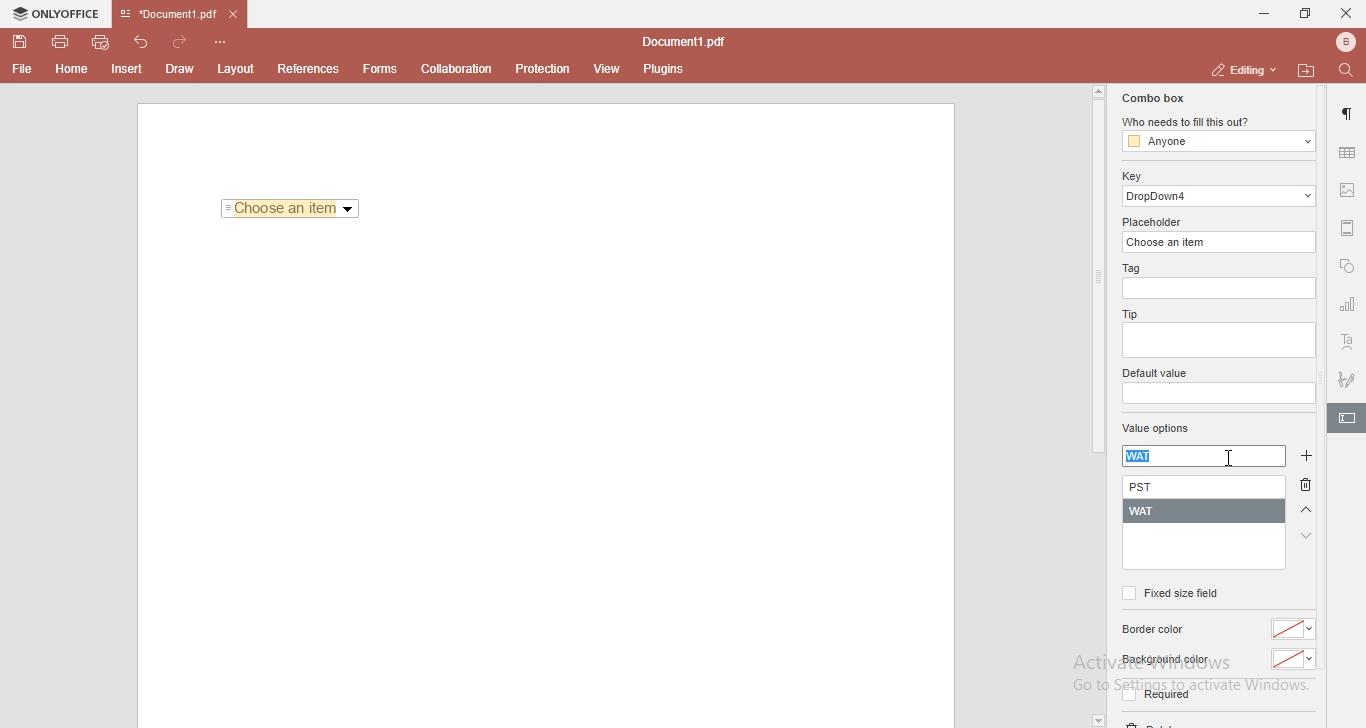 This screenshot has width=1366, height=728. What do you see at coordinates (1097, 720) in the screenshot?
I see `dropdown` at bounding box center [1097, 720].